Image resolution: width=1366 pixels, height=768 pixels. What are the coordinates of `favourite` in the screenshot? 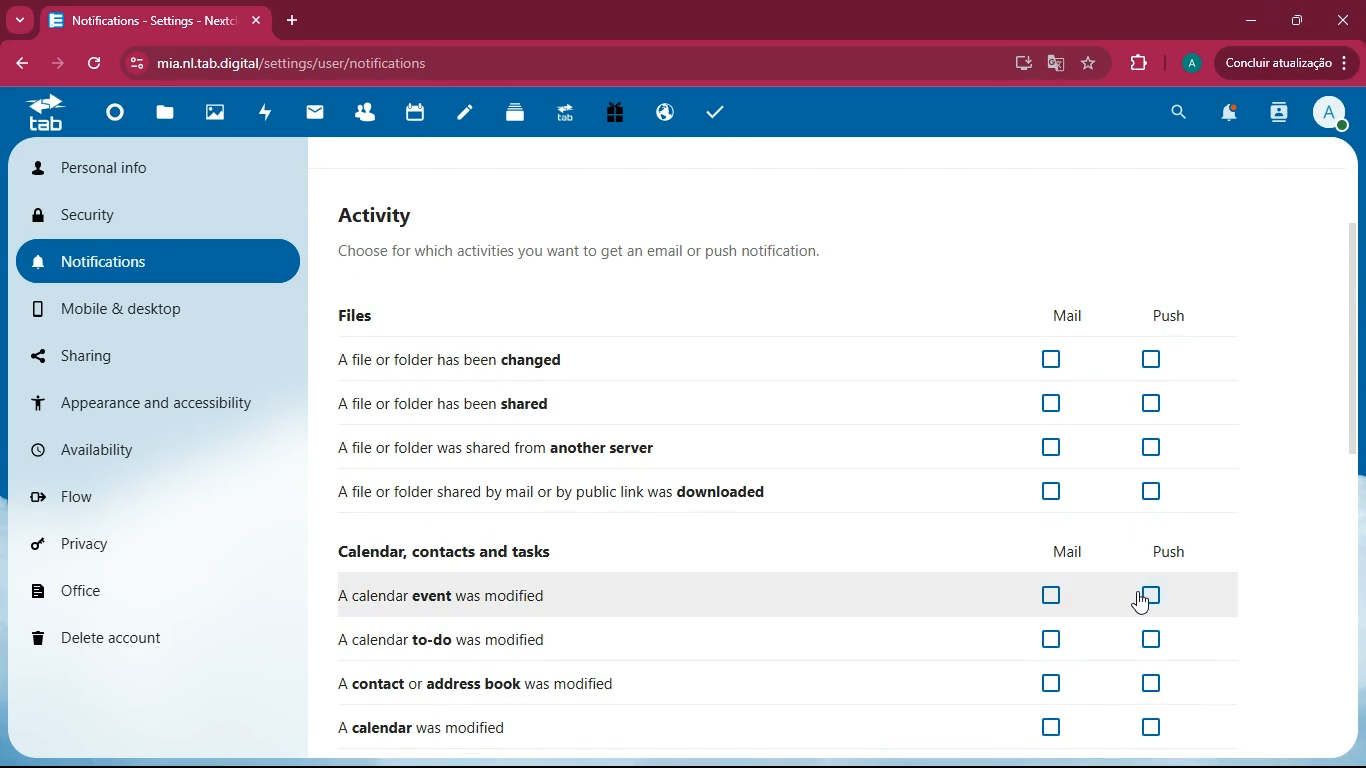 It's located at (1090, 63).